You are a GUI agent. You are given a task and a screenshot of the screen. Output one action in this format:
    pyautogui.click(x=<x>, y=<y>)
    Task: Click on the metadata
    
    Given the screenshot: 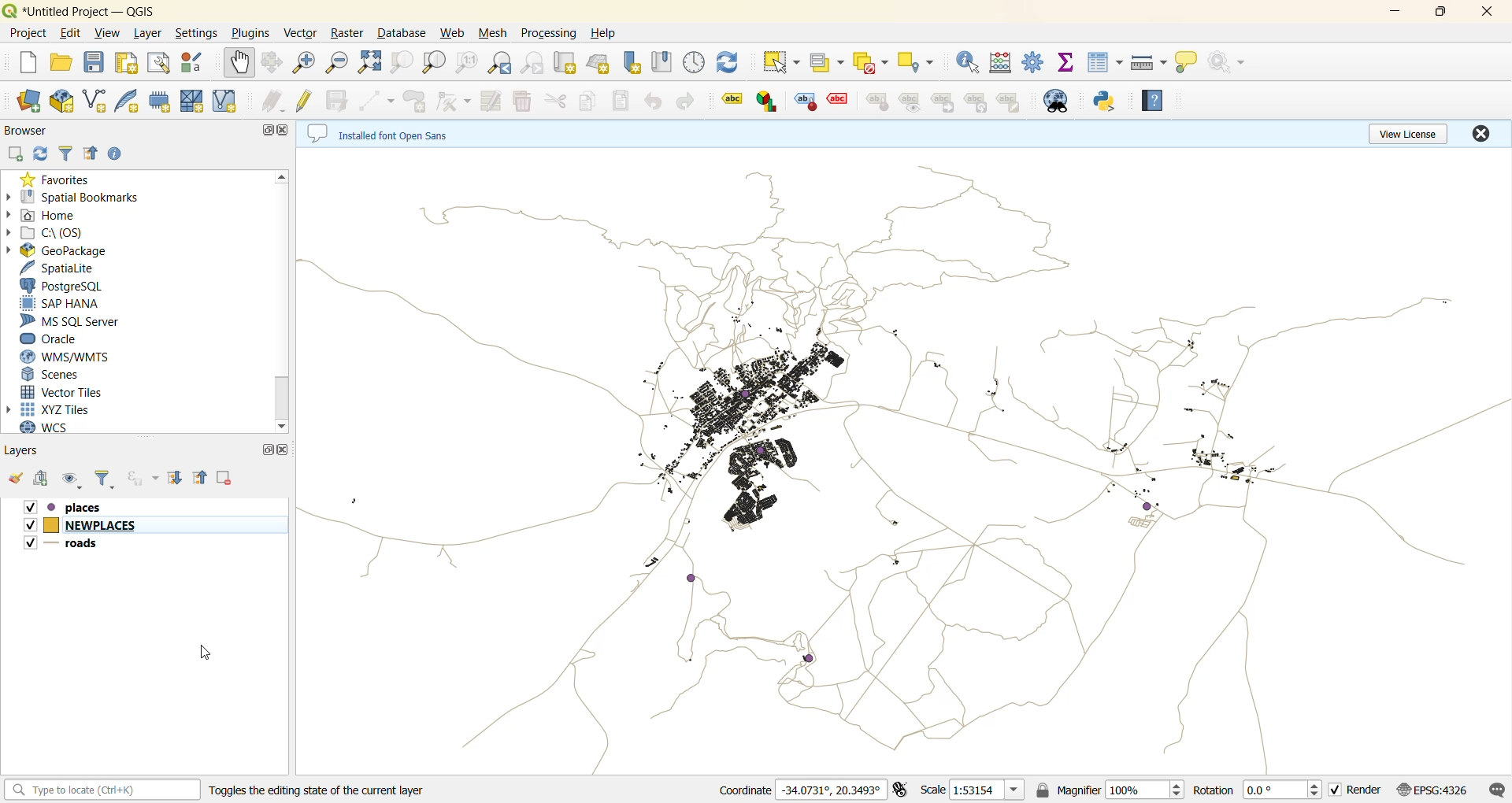 What is the action you would take?
    pyautogui.click(x=390, y=132)
    